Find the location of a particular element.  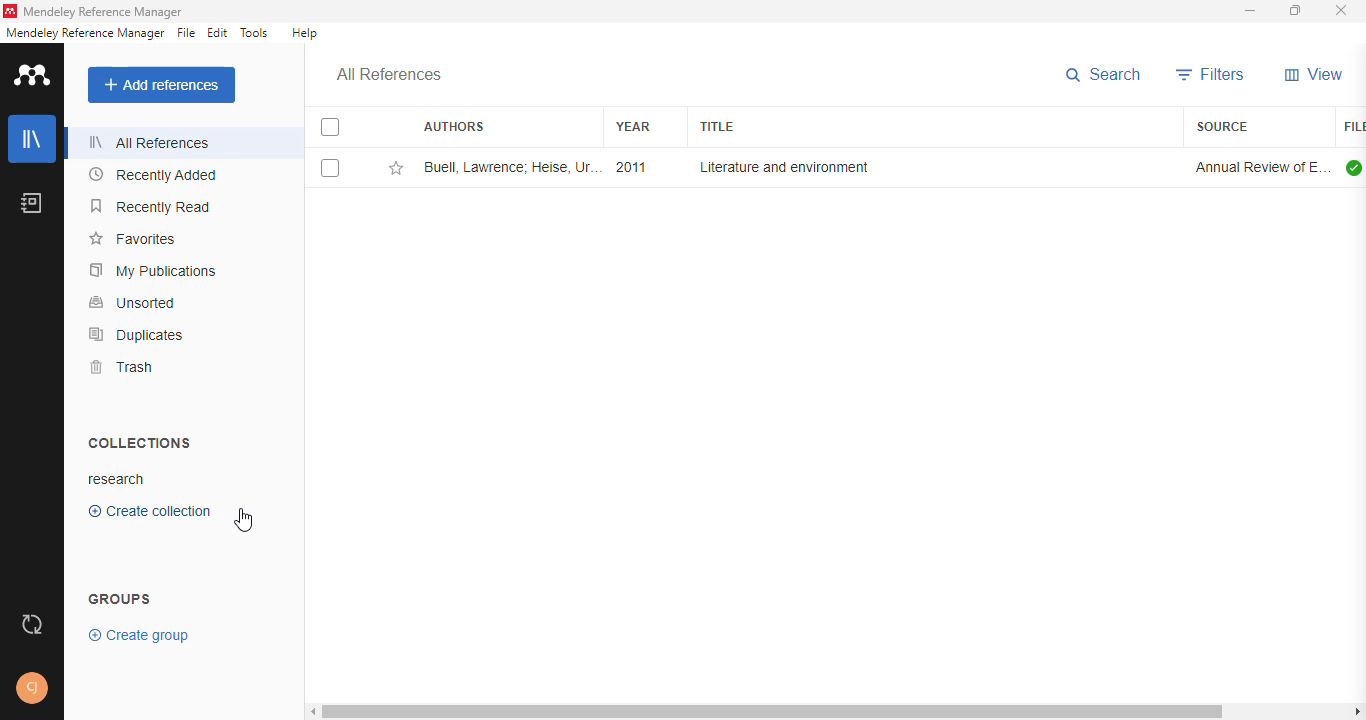

all files downloaded is located at coordinates (1354, 167).